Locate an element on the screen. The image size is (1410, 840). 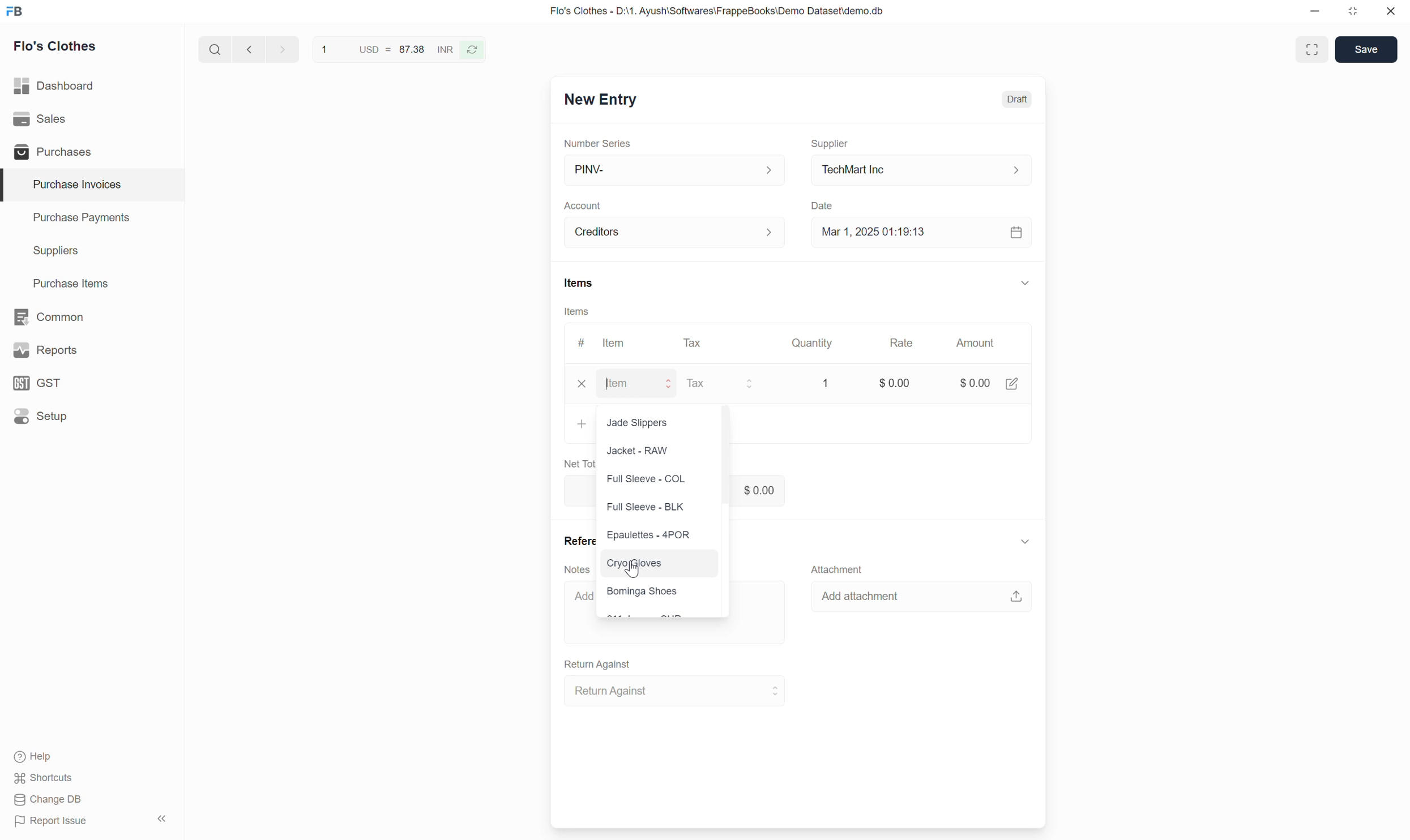
refresh is located at coordinates (471, 50).